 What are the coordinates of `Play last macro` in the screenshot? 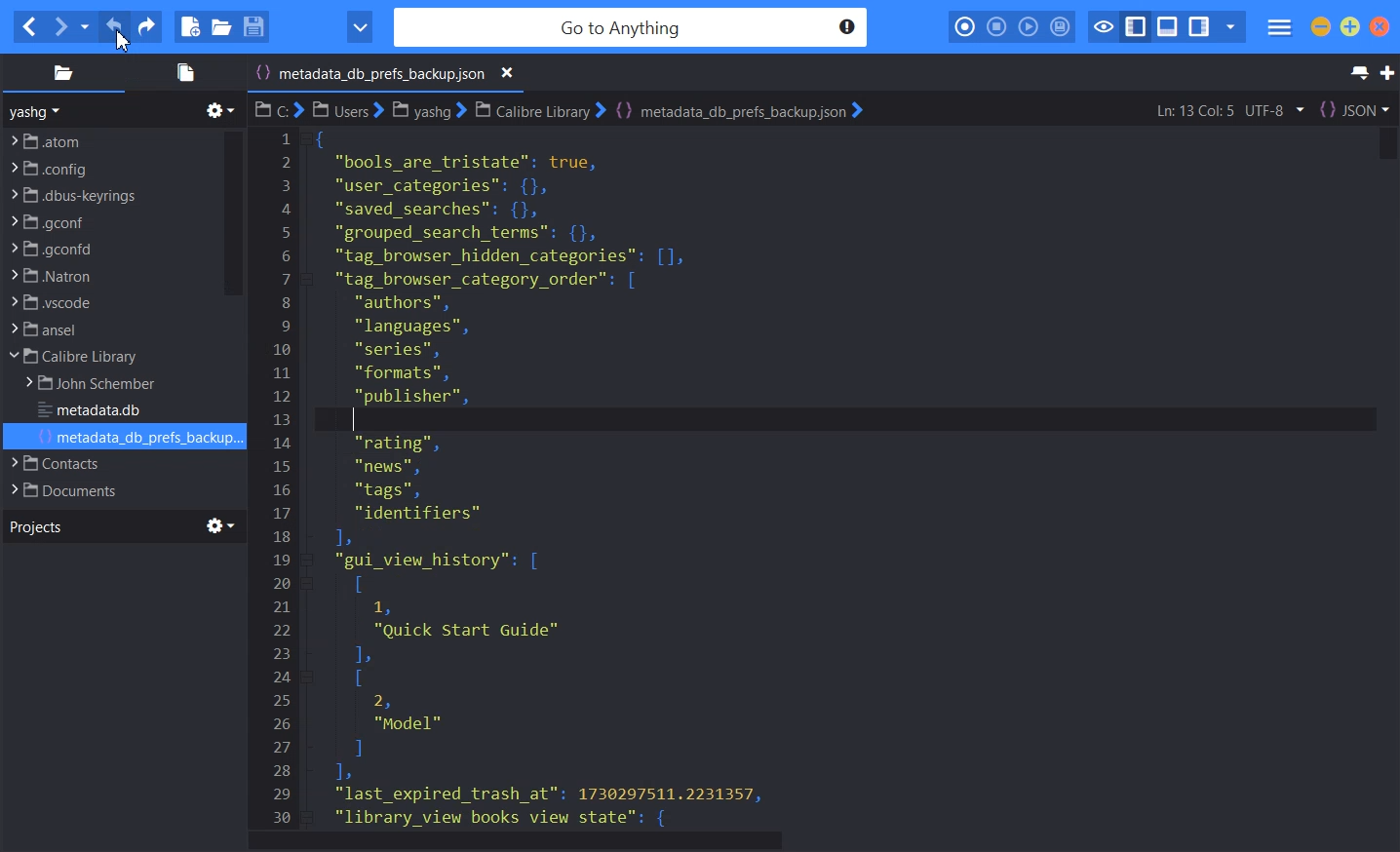 It's located at (1028, 27).